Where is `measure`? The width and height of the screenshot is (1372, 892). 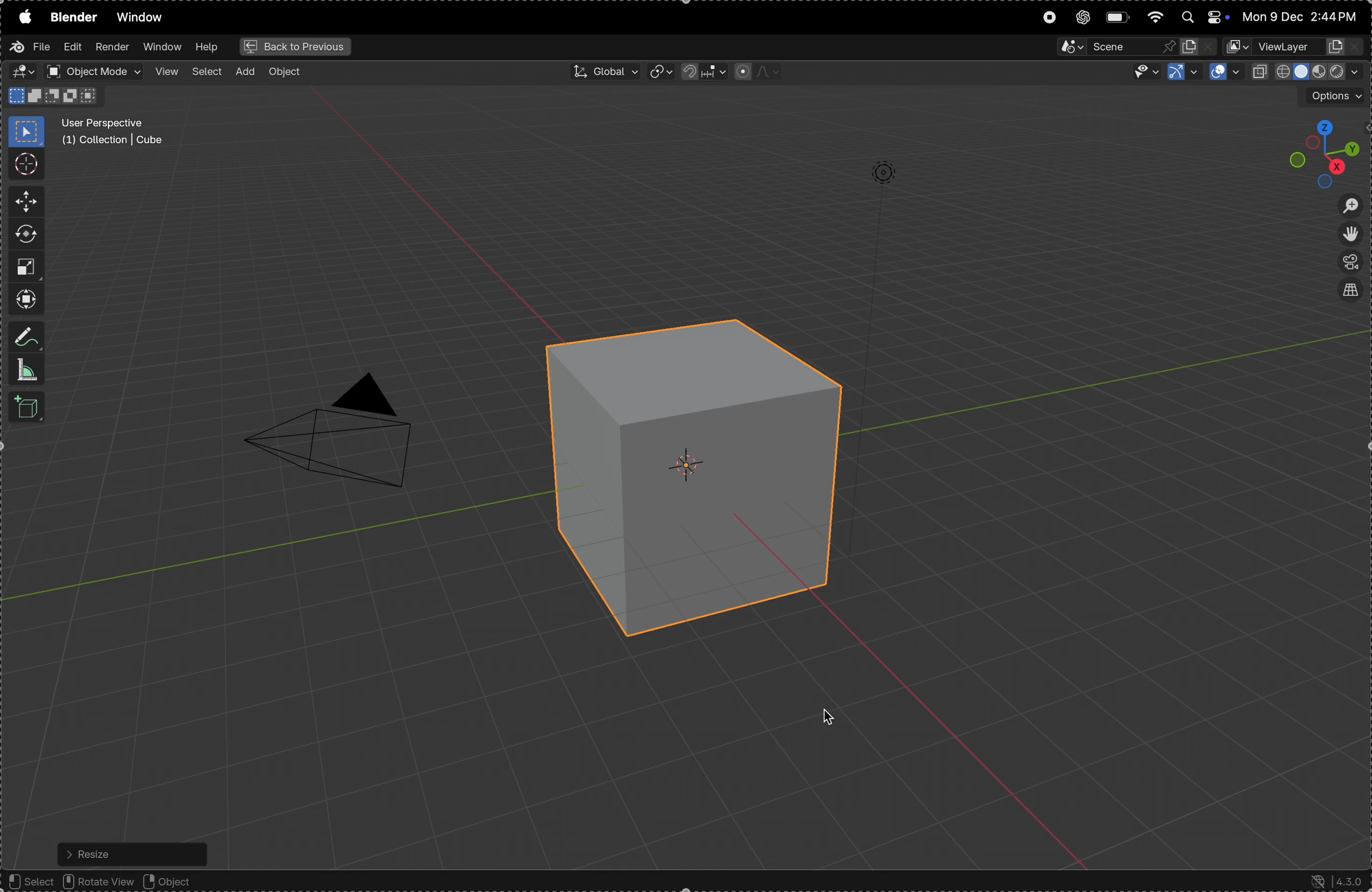 measure is located at coordinates (24, 369).